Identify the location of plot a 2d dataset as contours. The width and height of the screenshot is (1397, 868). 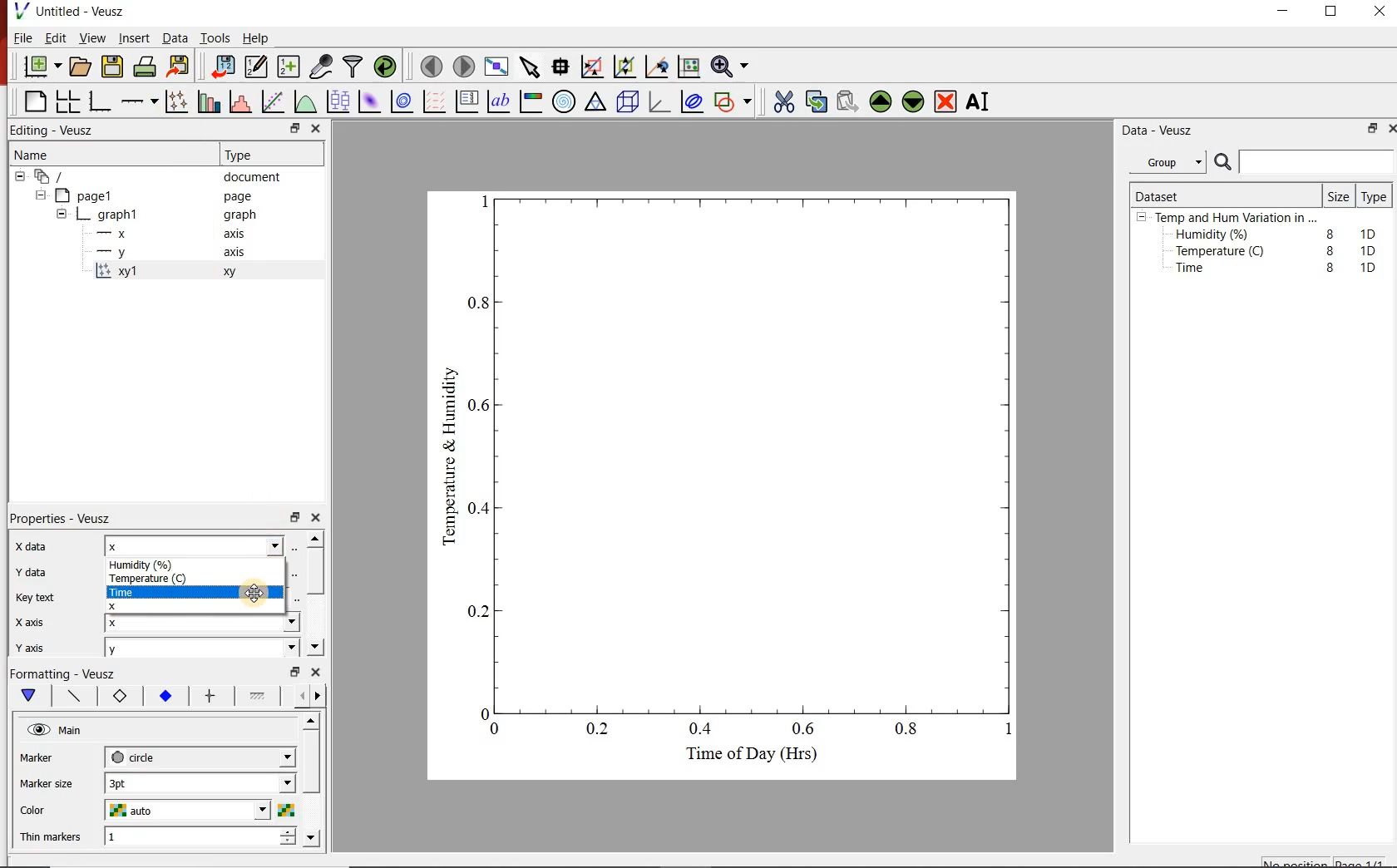
(406, 102).